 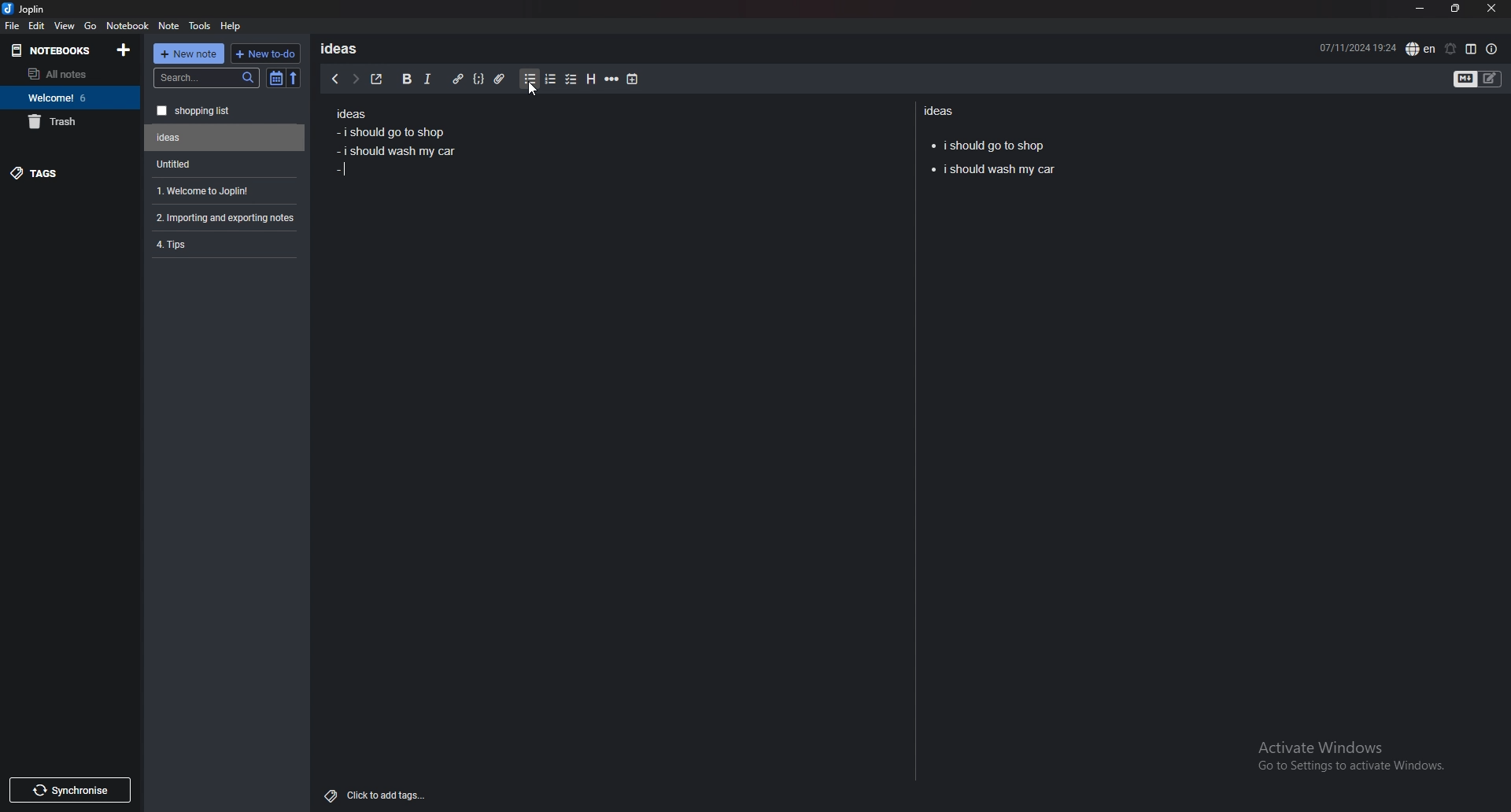 What do you see at coordinates (225, 138) in the screenshot?
I see `Untitled` at bounding box center [225, 138].